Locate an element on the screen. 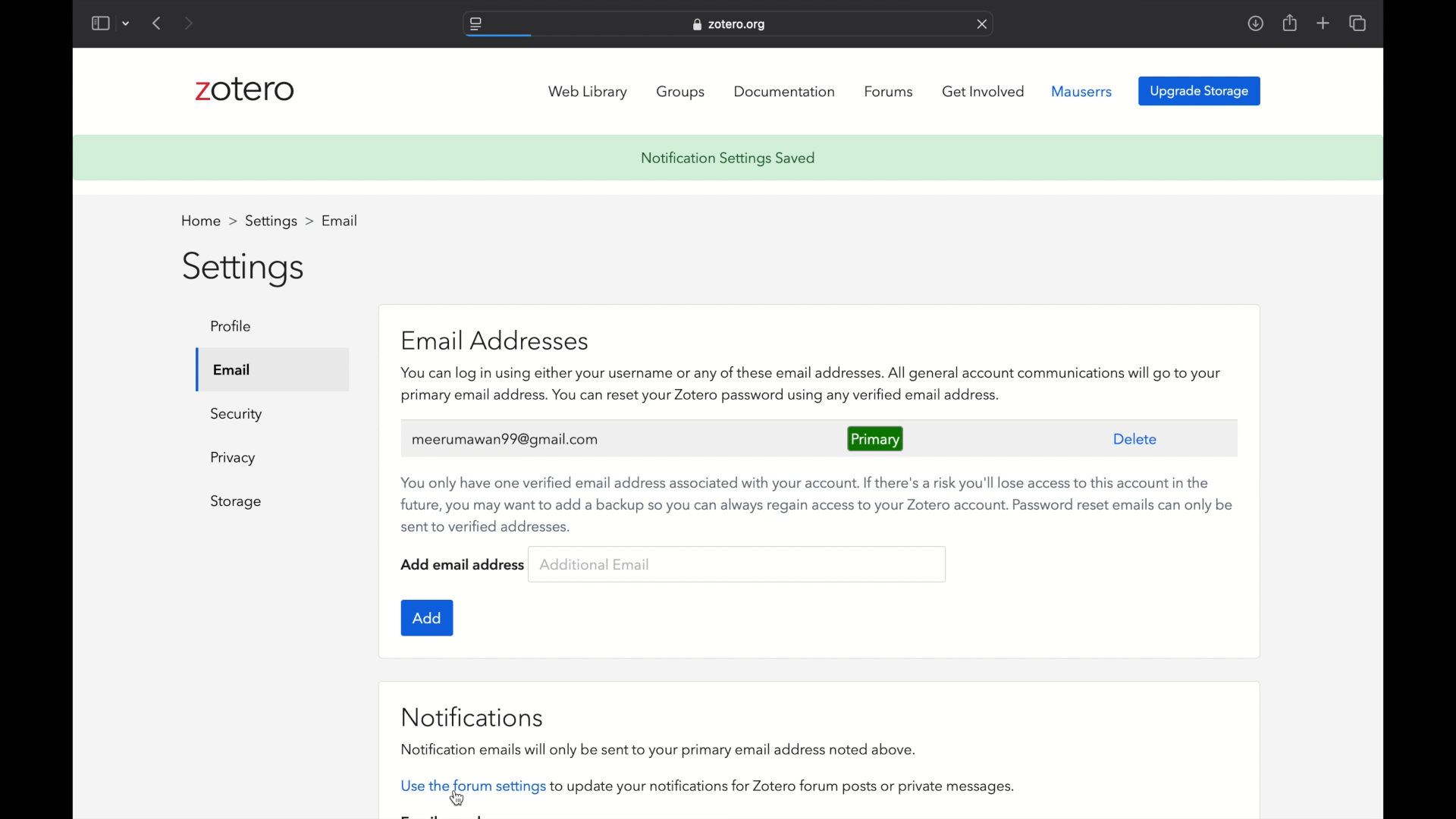  new tab is located at coordinates (1323, 23).